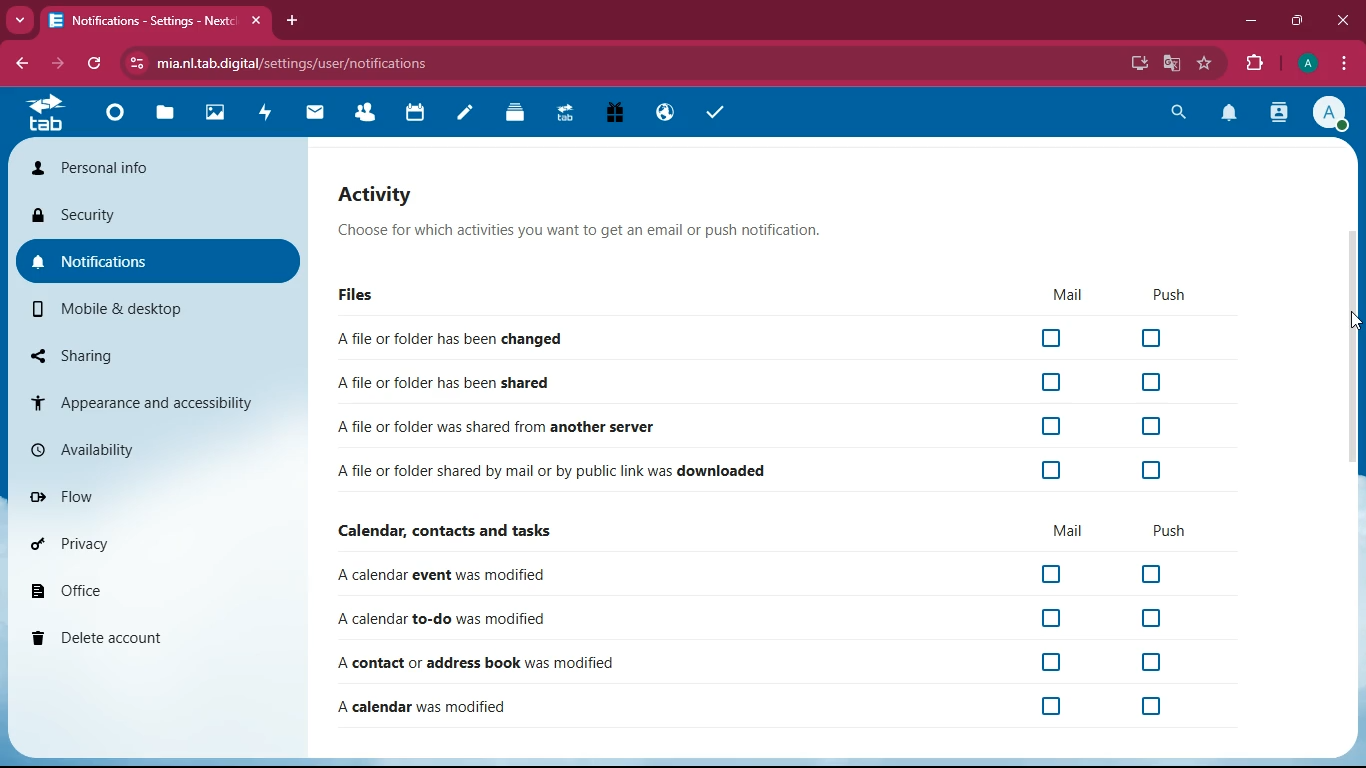  Describe the element at coordinates (295, 22) in the screenshot. I see `add tab` at that location.